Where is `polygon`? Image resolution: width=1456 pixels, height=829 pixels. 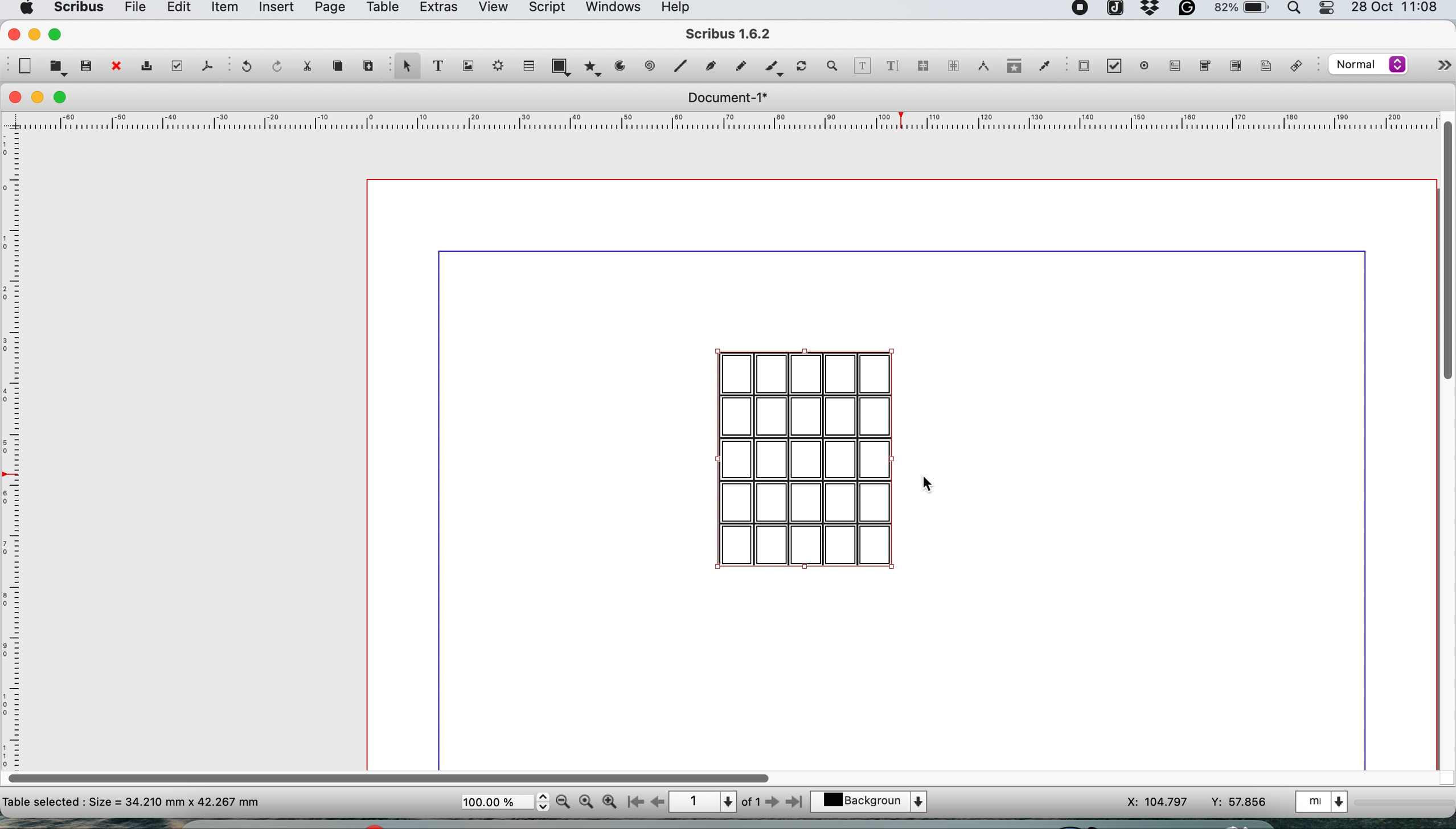 polygon is located at coordinates (595, 66).